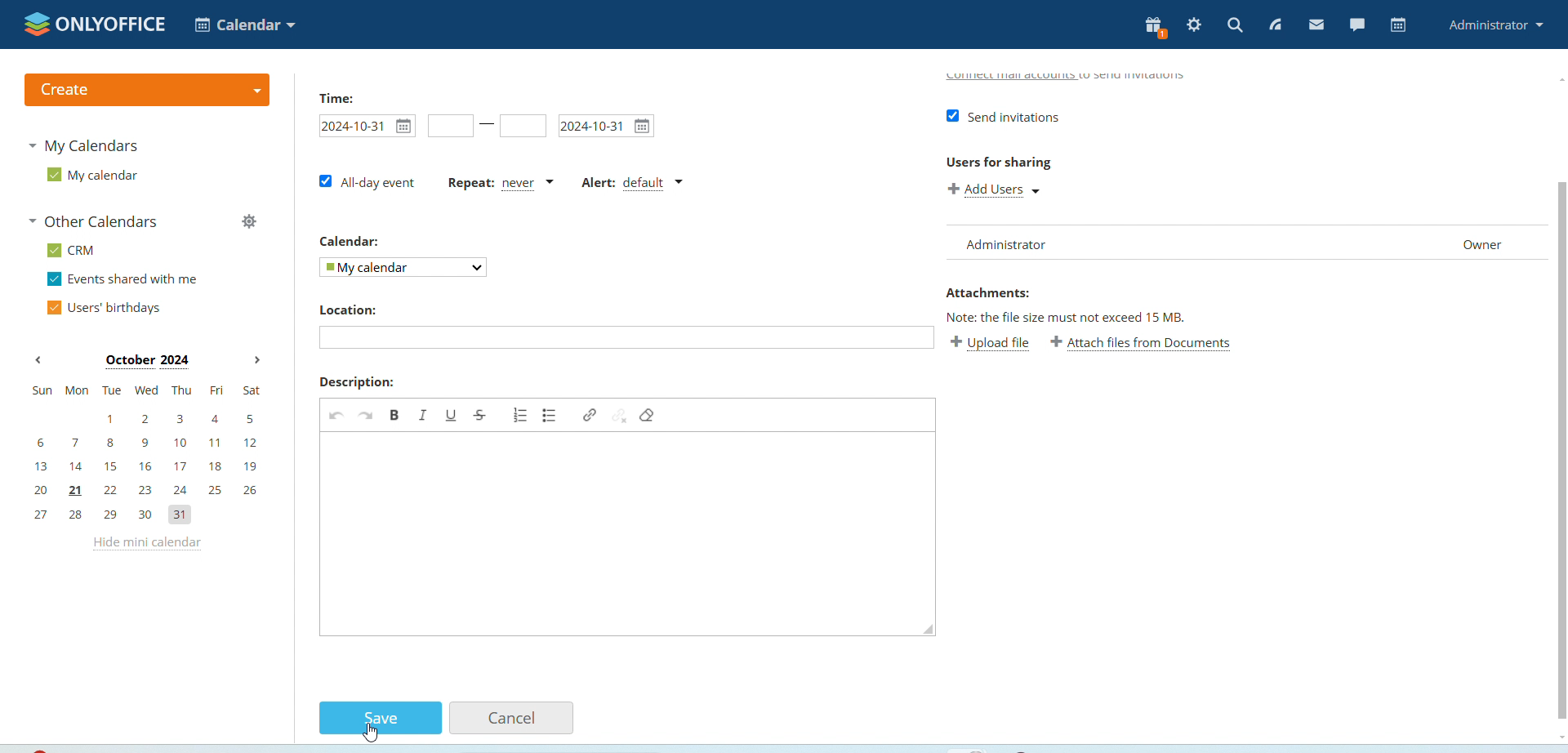 This screenshot has width=1568, height=753. What do you see at coordinates (1562, 447) in the screenshot?
I see `vertical scrollbar` at bounding box center [1562, 447].